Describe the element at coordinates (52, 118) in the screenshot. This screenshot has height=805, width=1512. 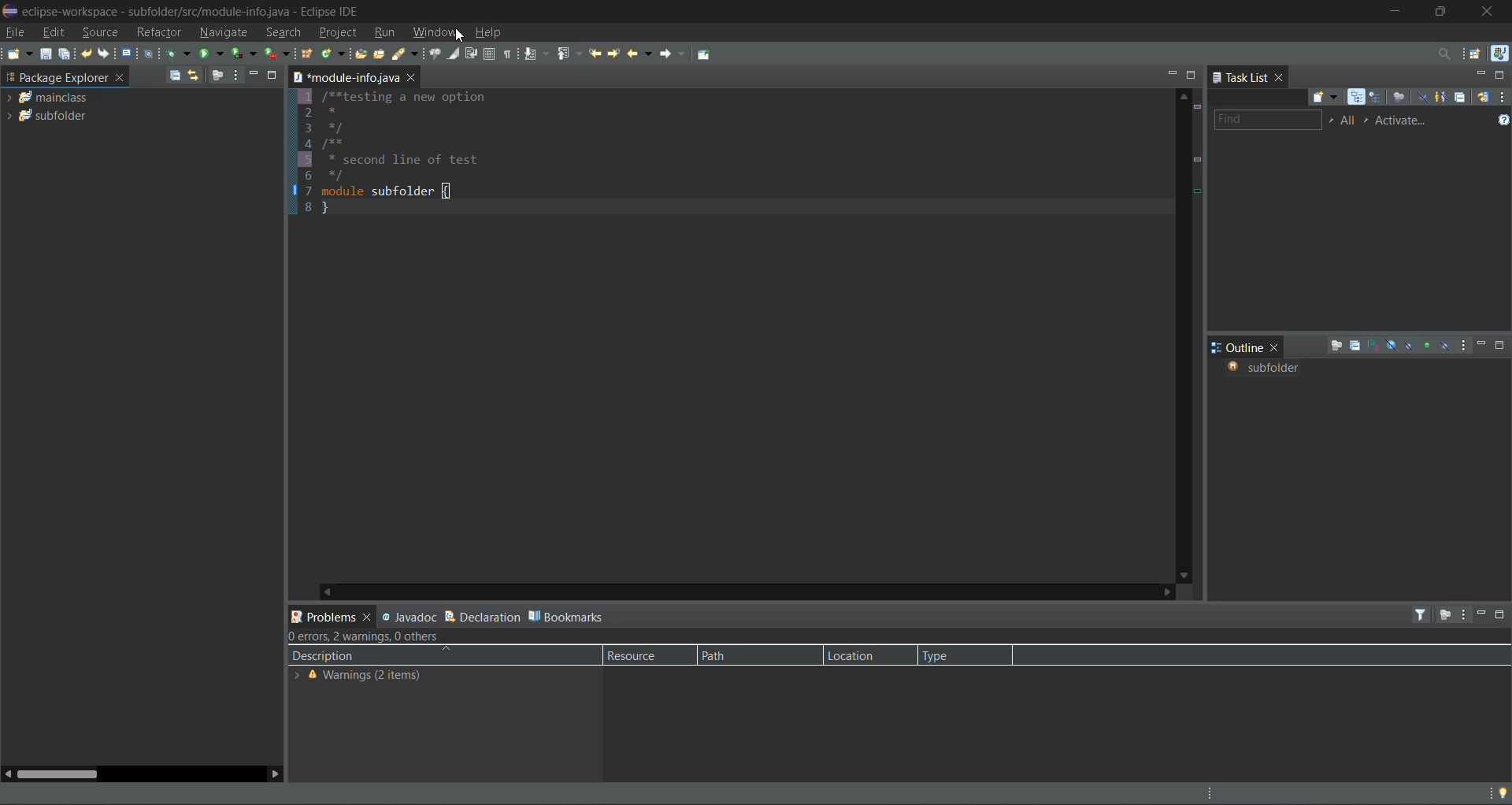
I see `module 2` at that location.